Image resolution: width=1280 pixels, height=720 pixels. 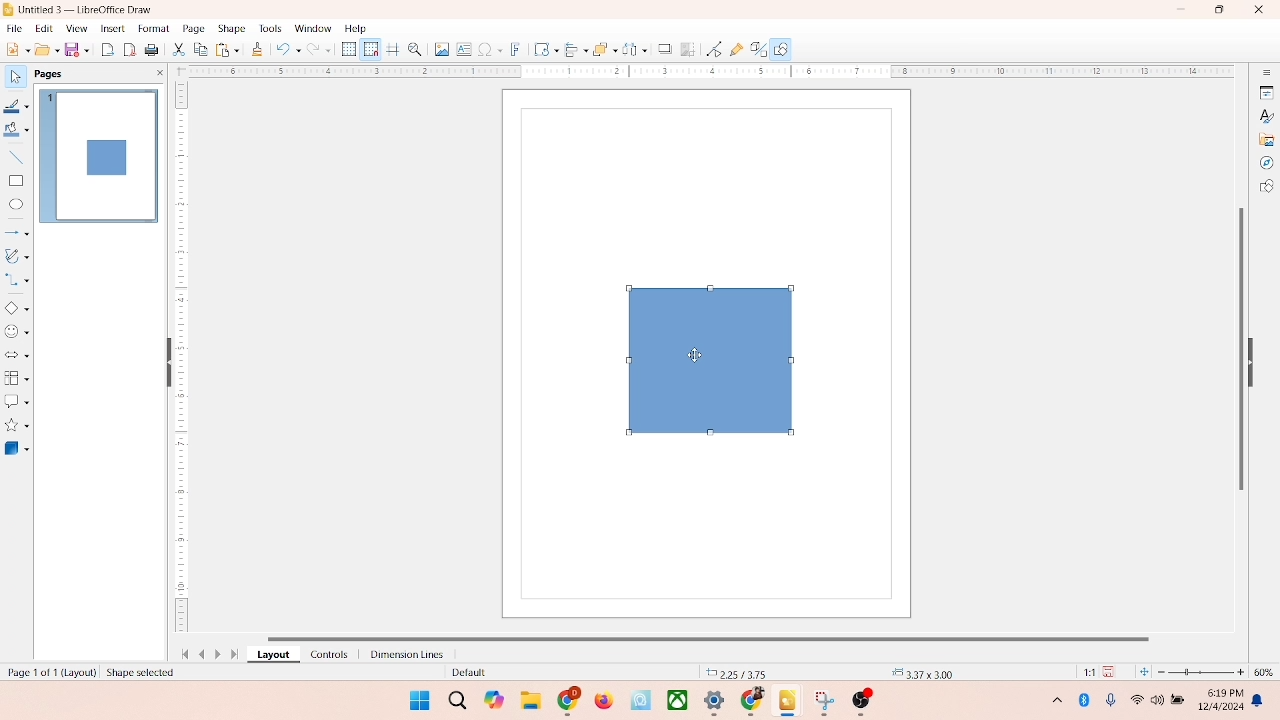 I want to click on fontwork text, so click(x=516, y=47).